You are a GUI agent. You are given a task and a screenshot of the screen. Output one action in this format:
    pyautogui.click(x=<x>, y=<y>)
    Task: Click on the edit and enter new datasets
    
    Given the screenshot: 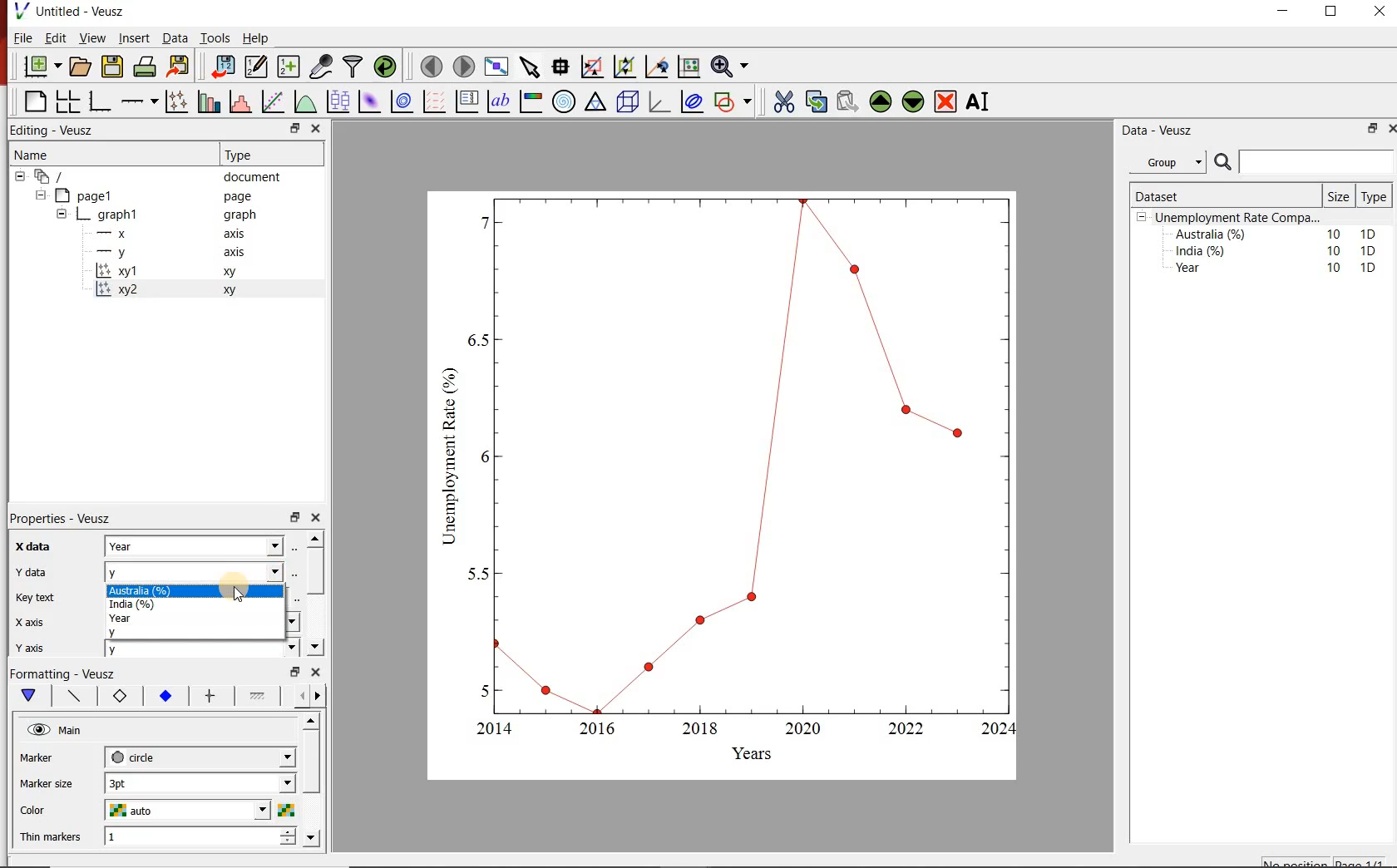 What is the action you would take?
    pyautogui.click(x=258, y=65)
    